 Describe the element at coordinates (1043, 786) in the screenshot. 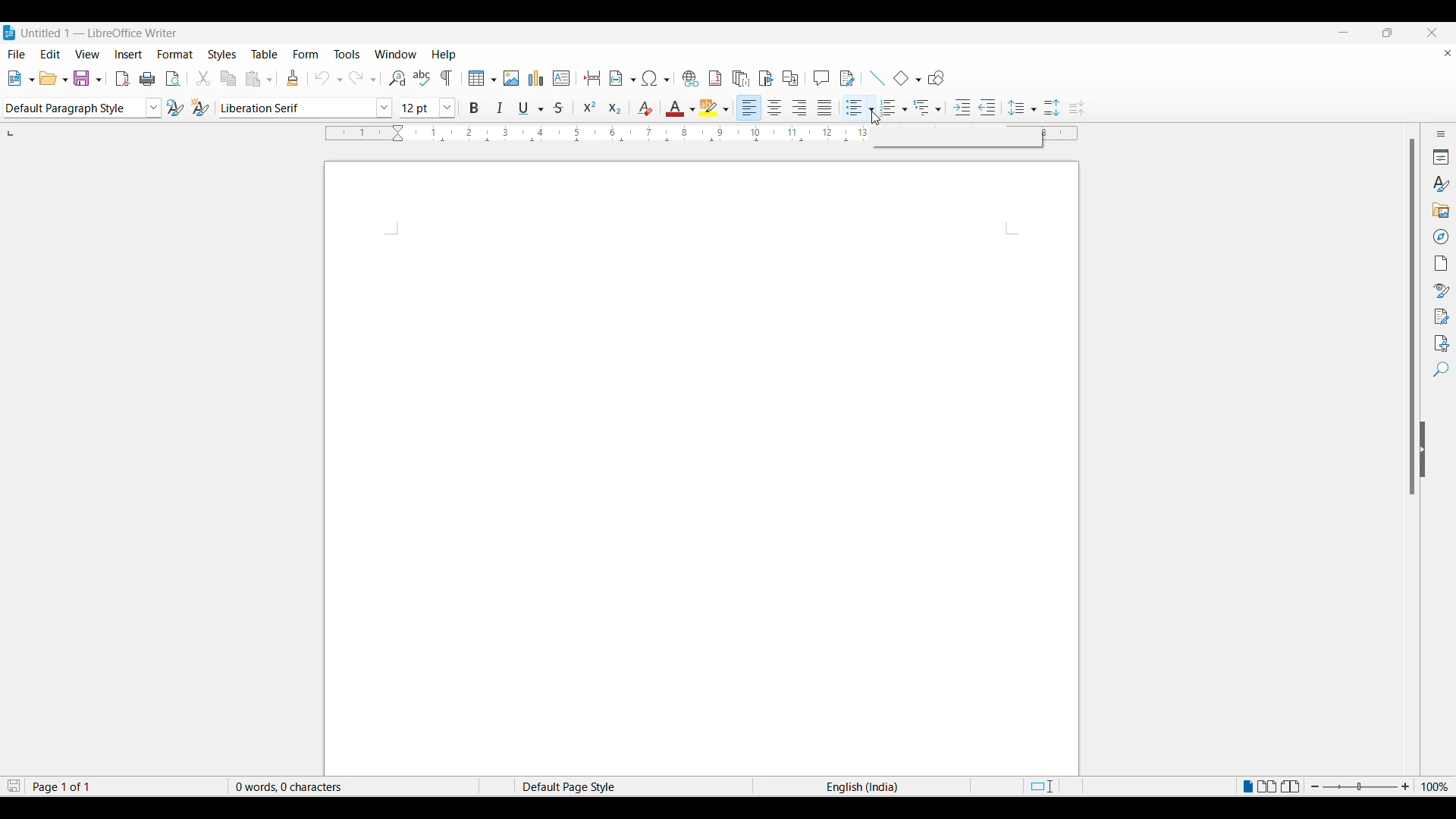

I see `Standard selection` at that location.